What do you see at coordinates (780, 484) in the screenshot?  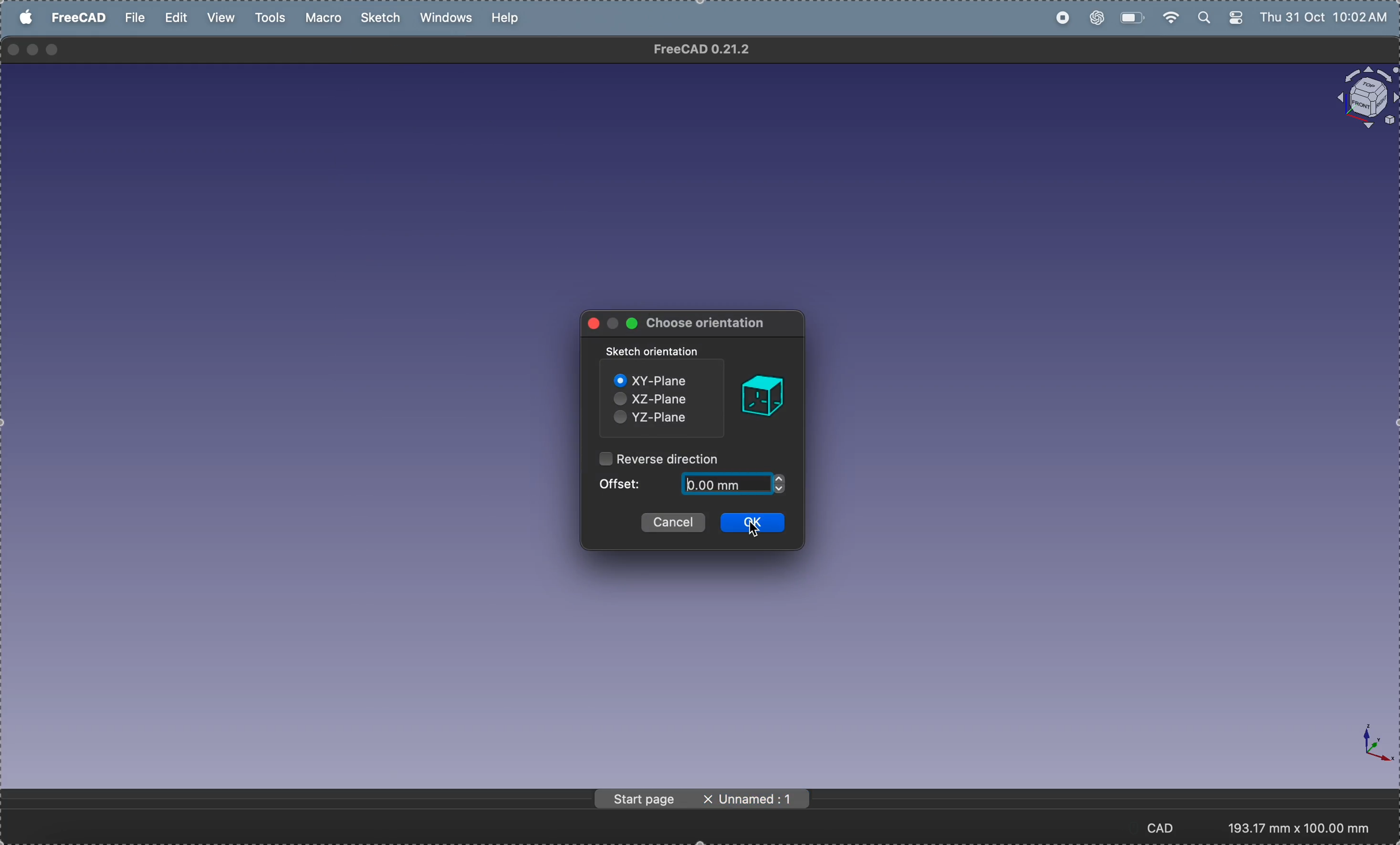 I see `increase or decrease offset value` at bounding box center [780, 484].